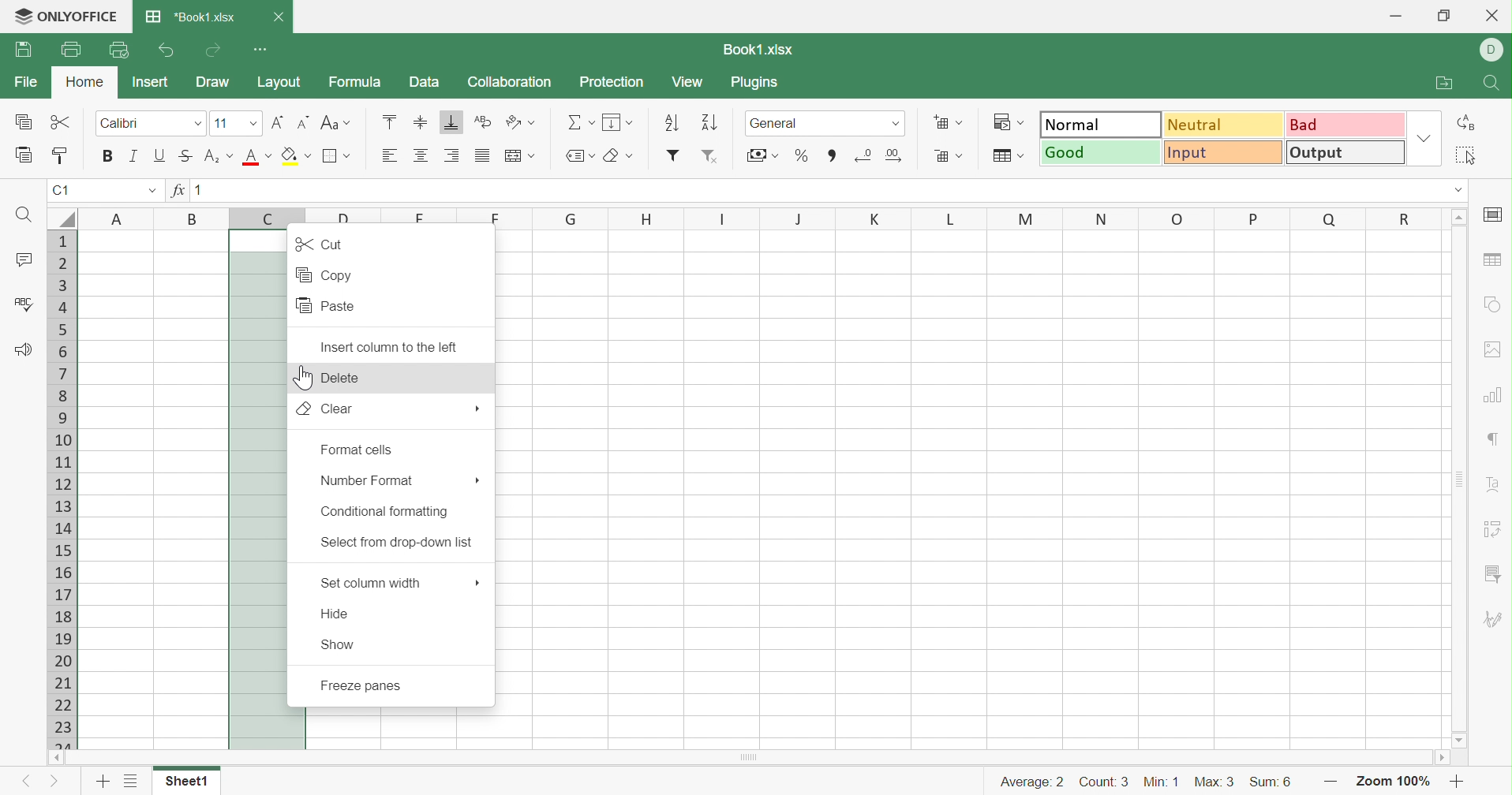  I want to click on Increase decimals, so click(895, 155).